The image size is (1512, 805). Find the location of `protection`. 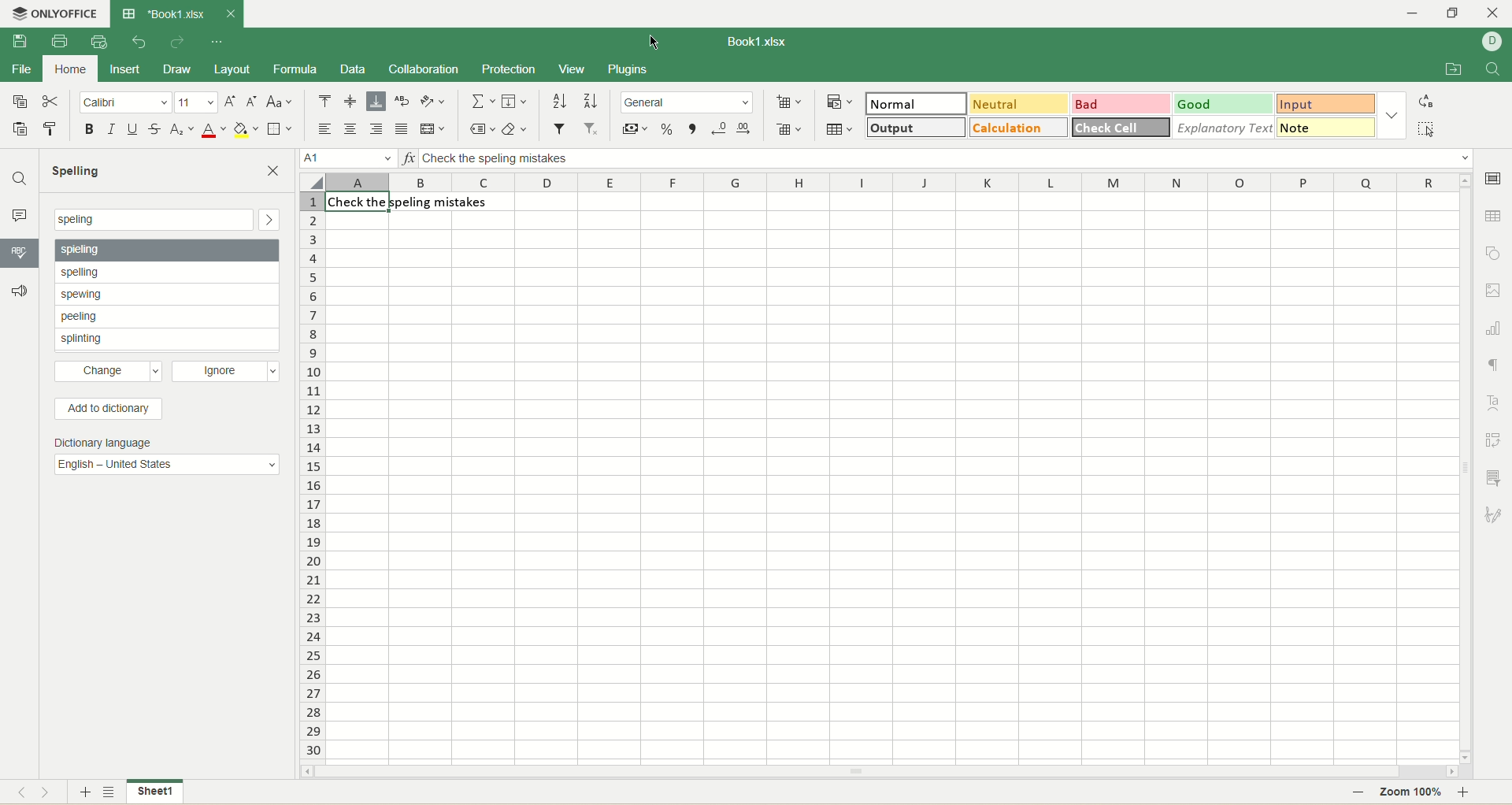

protection is located at coordinates (507, 70).